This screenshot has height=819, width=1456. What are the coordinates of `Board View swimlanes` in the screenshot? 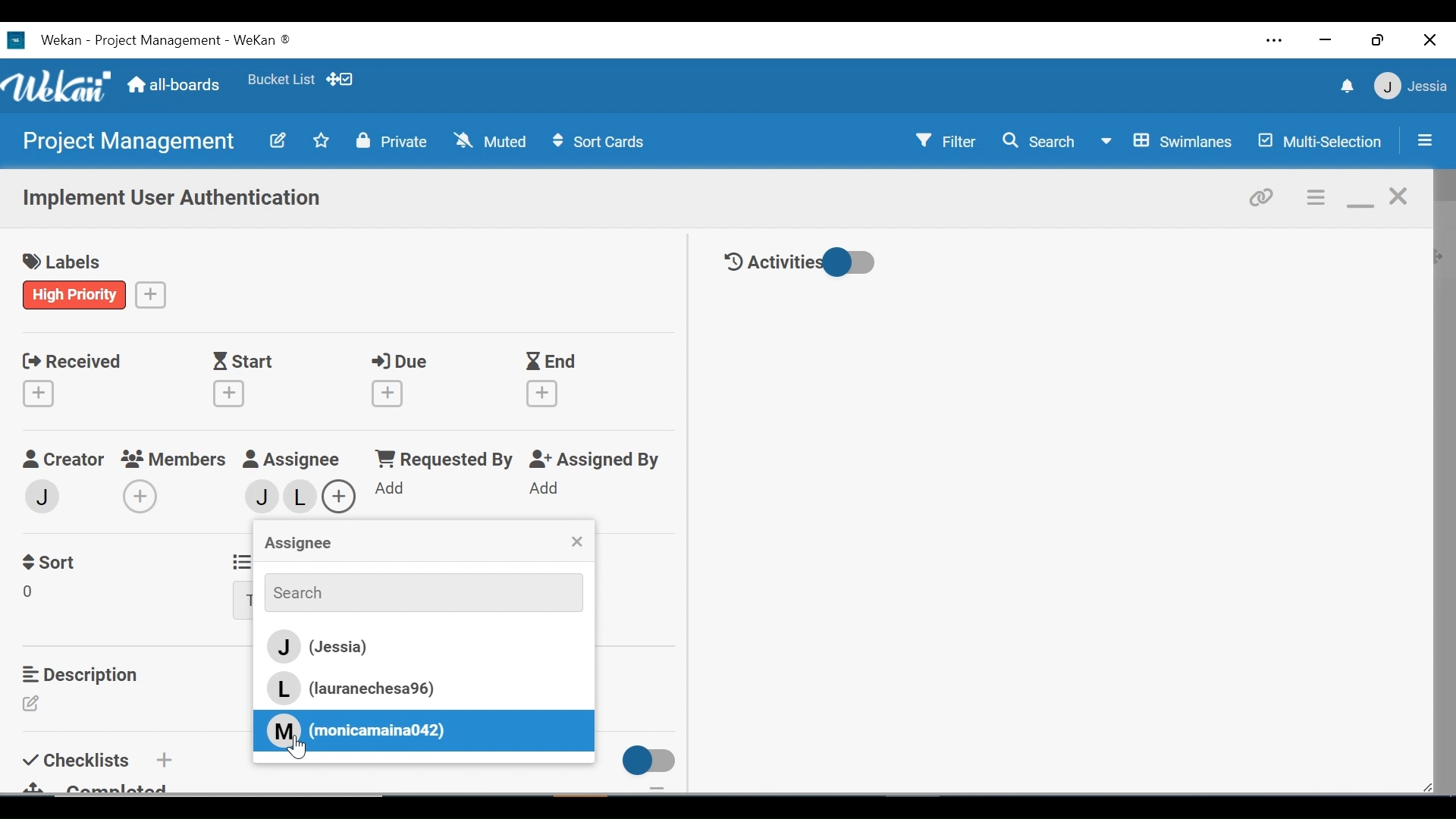 It's located at (1169, 140).